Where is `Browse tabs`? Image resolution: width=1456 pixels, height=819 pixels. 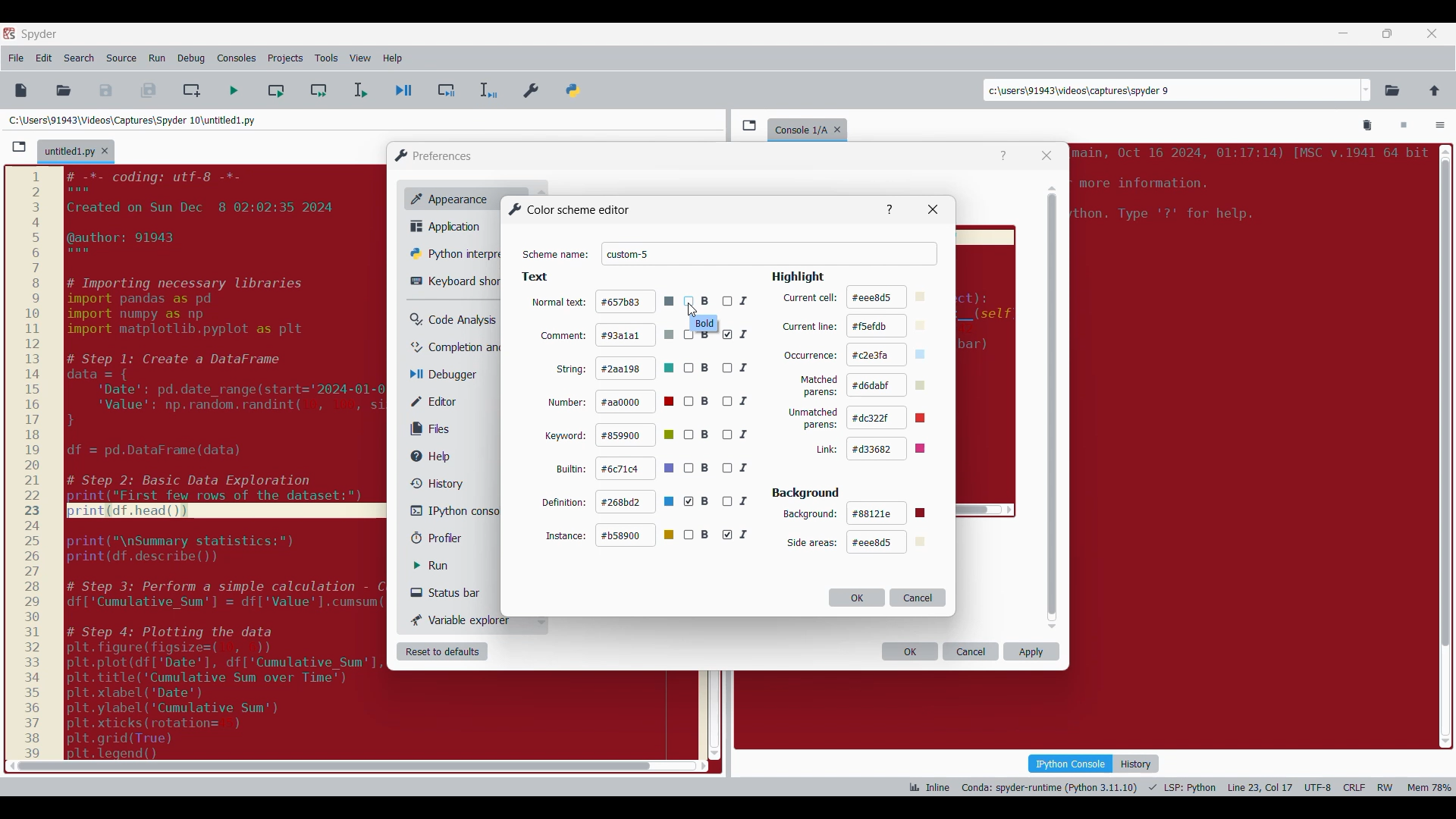
Browse tabs is located at coordinates (19, 147).